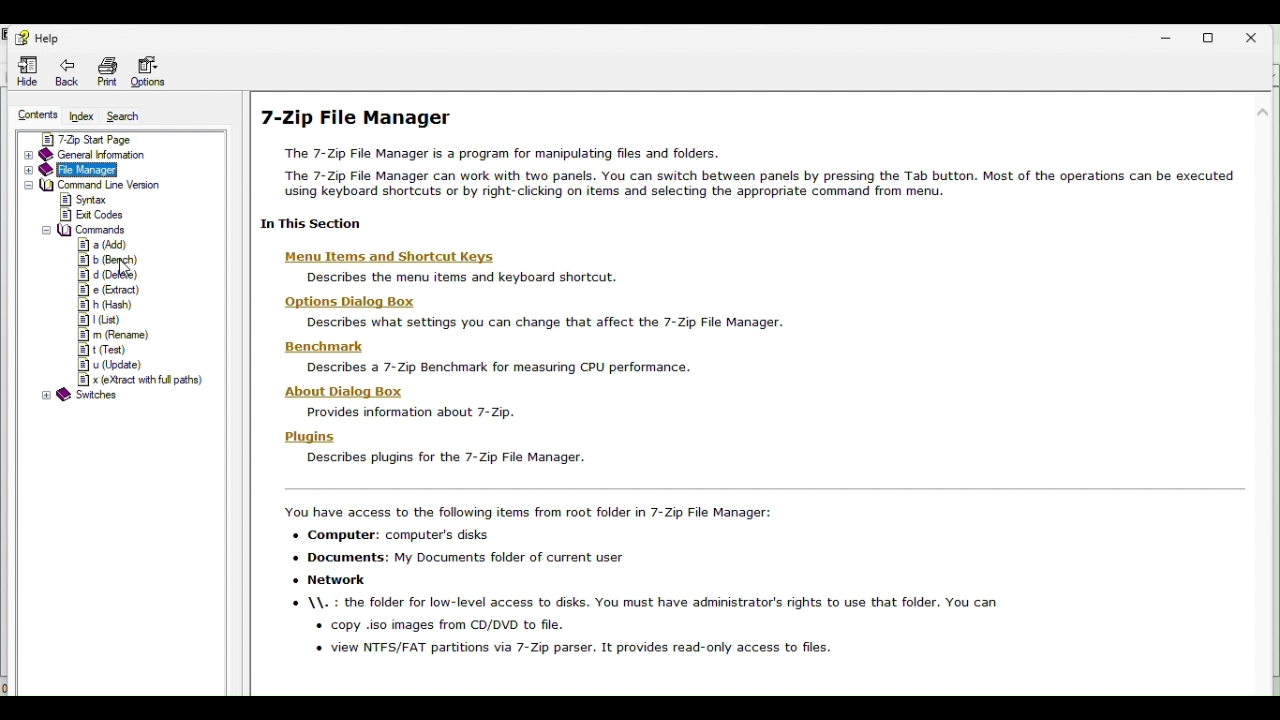 The height and width of the screenshot is (720, 1280). What do you see at coordinates (110, 260) in the screenshot?
I see `b` at bounding box center [110, 260].